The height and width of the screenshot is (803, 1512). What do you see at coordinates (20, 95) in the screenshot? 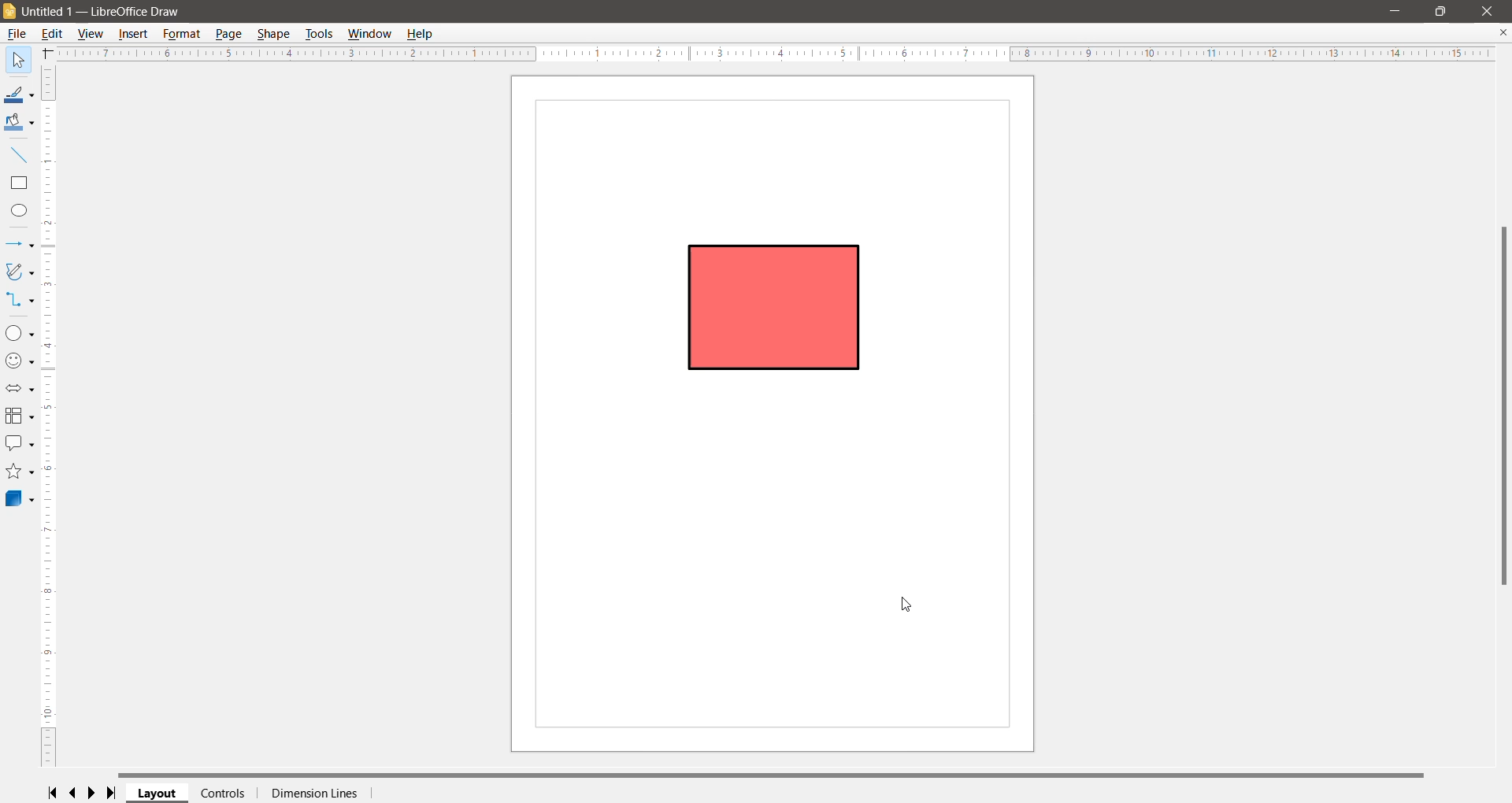
I see `Line Color` at bounding box center [20, 95].